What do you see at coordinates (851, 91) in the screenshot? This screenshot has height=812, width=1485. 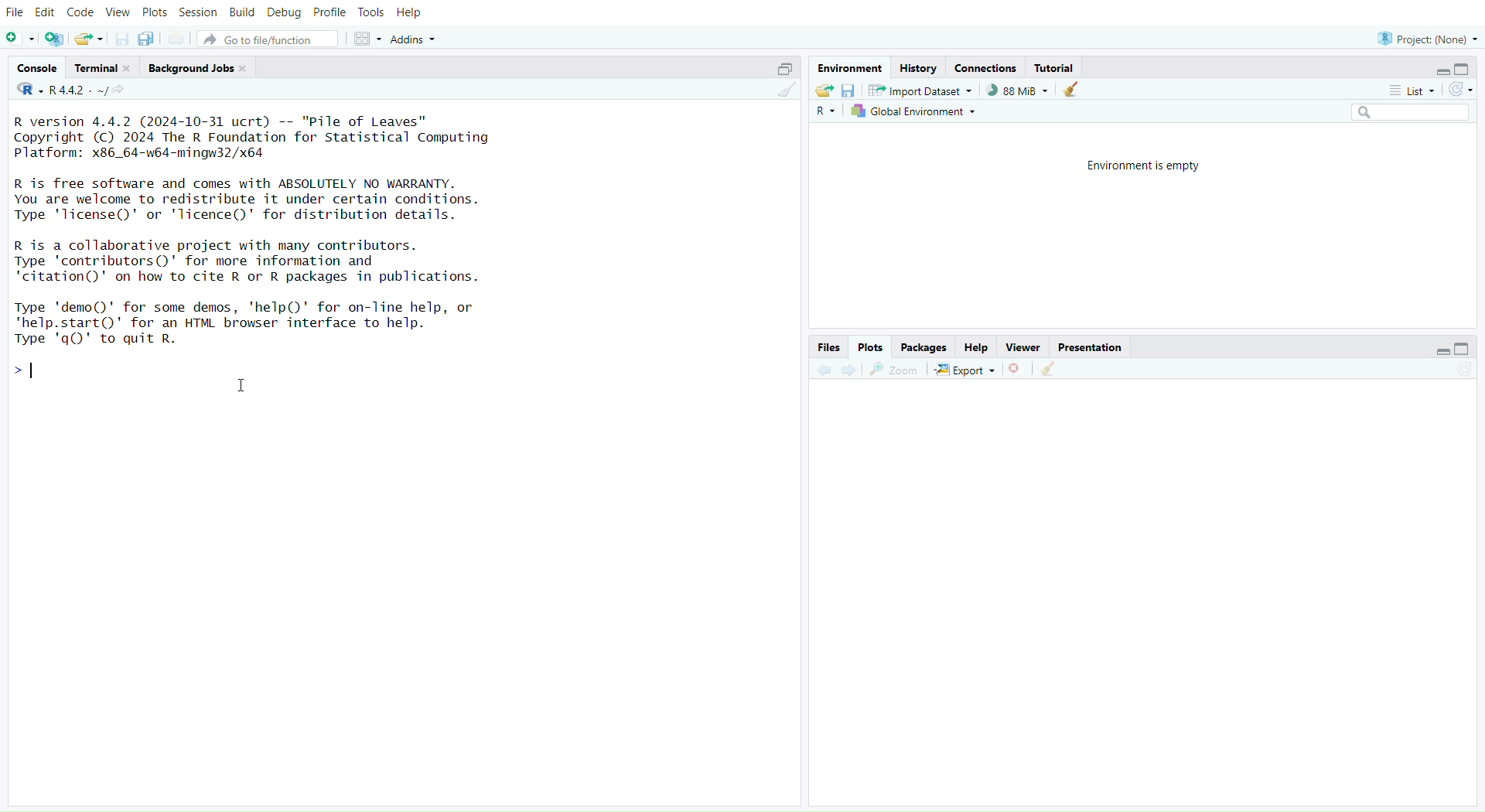 I see `save workspace` at bounding box center [851, 91].